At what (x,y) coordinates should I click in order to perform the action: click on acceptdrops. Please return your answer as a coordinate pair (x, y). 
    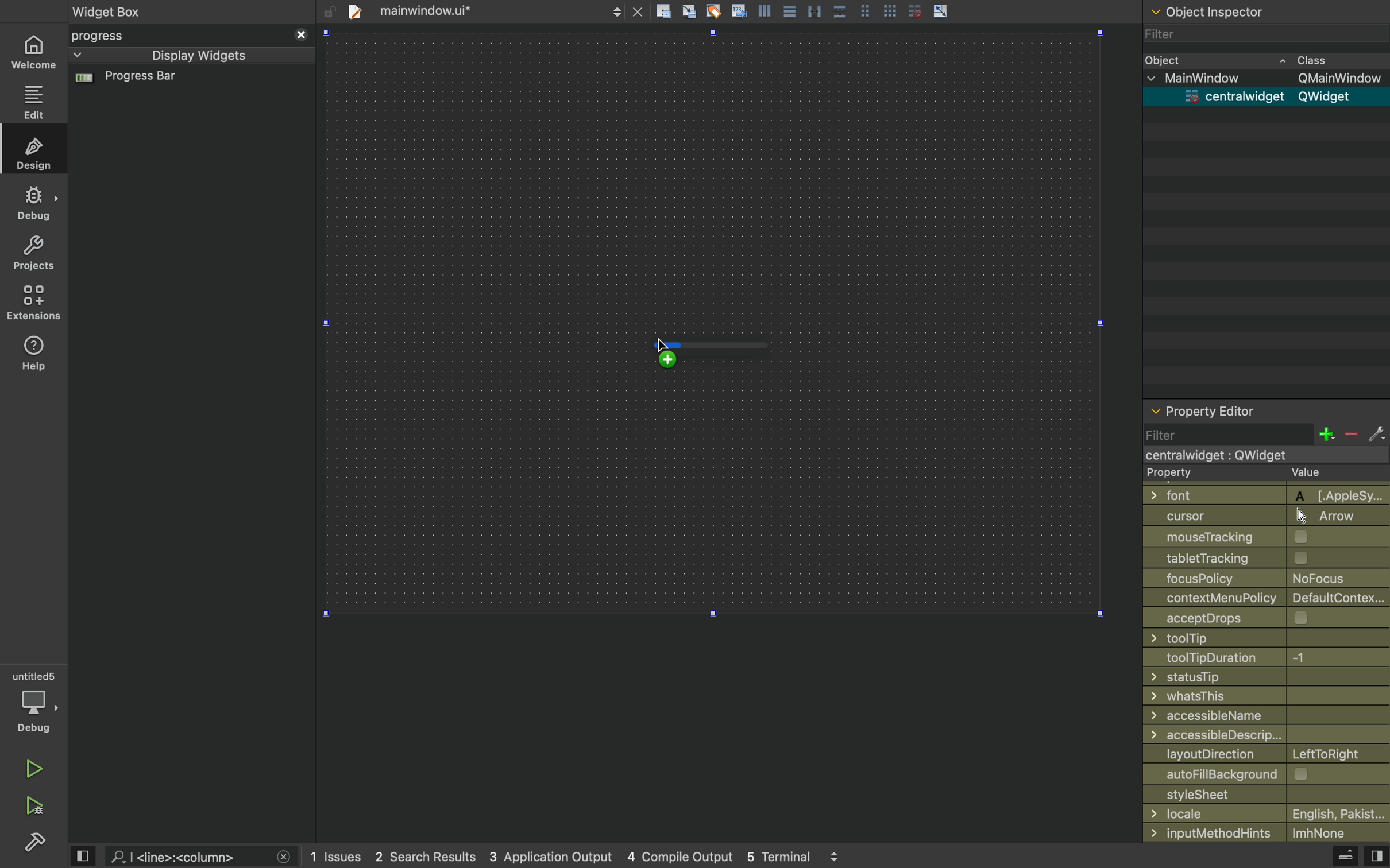
    Looking at the image, I should click on (1257, 617).